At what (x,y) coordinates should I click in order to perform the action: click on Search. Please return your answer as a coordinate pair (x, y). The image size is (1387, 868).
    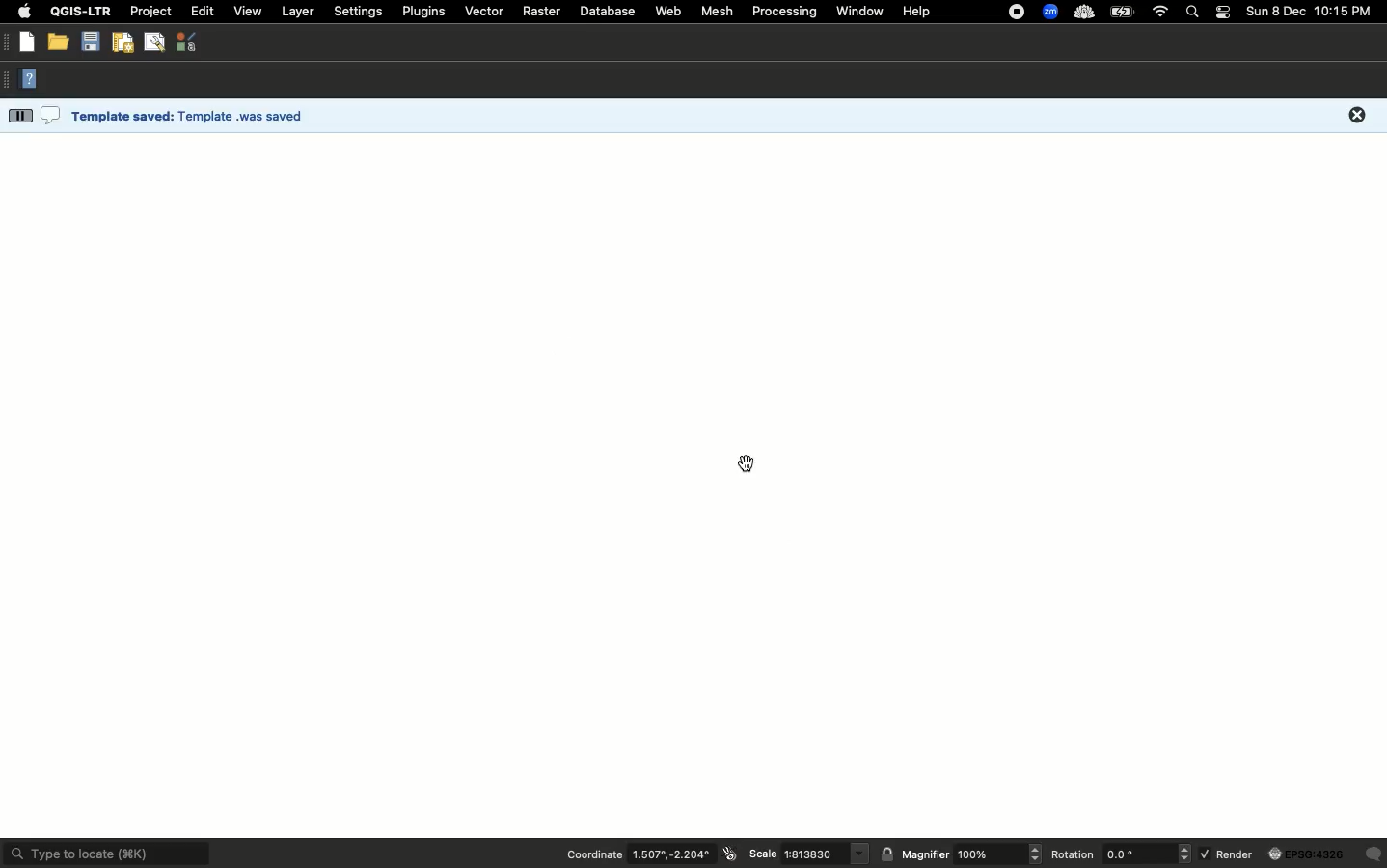
    Looking at the image, I should click on (1194, 13).